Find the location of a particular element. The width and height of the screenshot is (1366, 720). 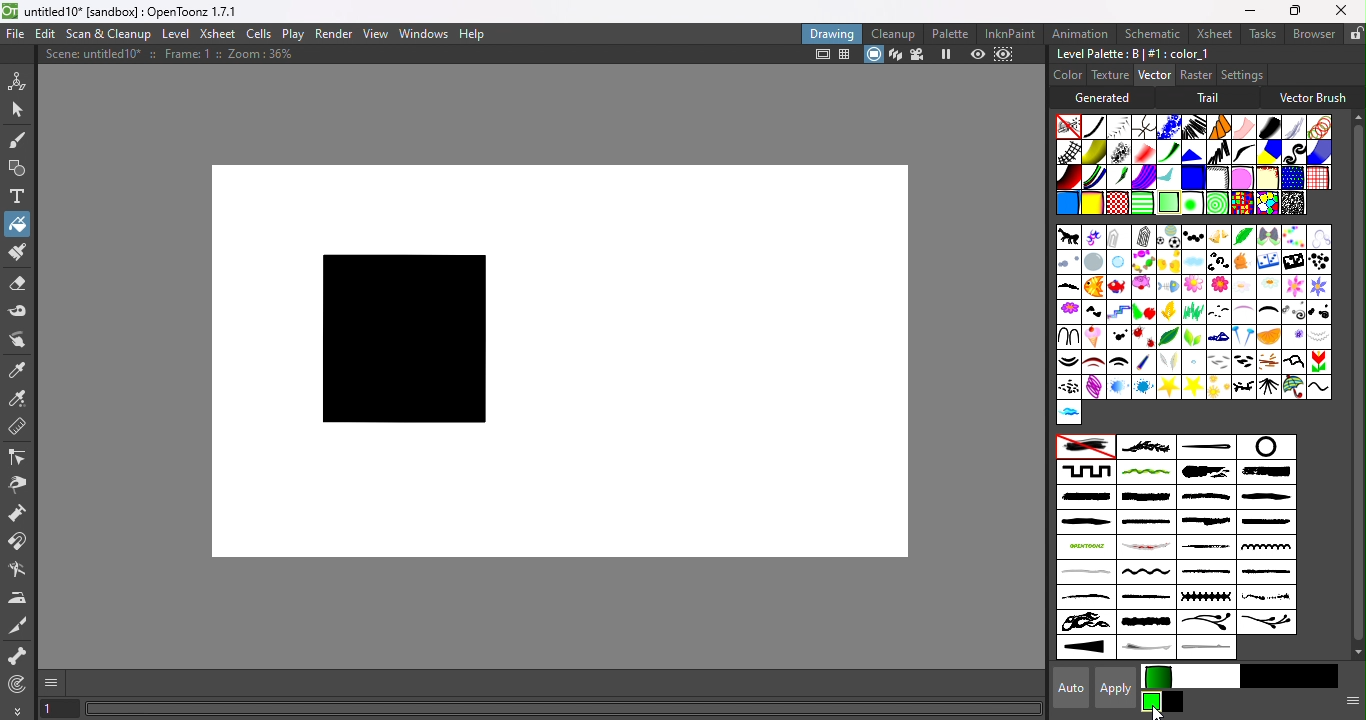

More tool is located at coordinates (18, 710).